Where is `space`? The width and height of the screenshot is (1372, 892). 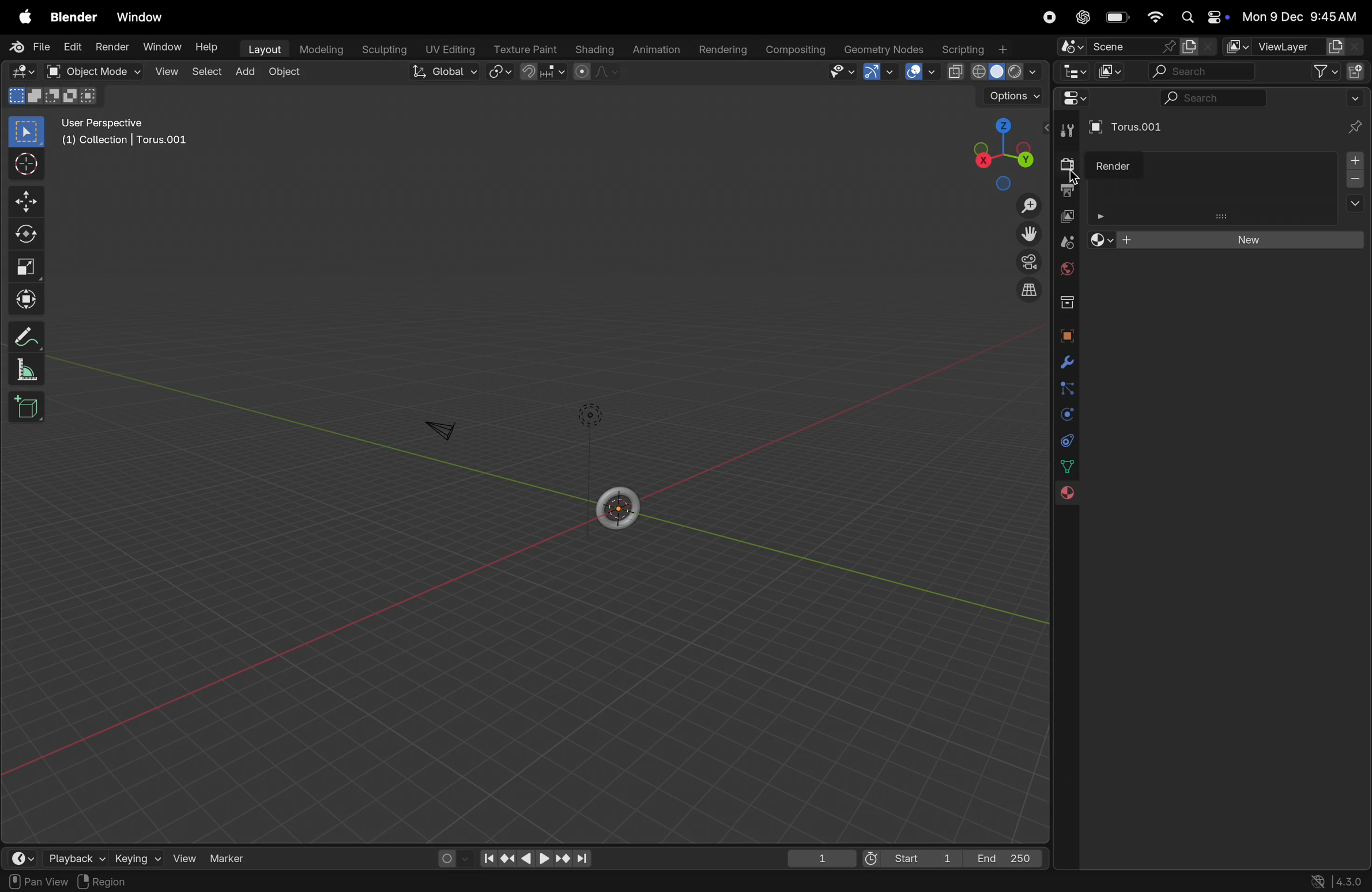 space is located at coordinates (917, 73).